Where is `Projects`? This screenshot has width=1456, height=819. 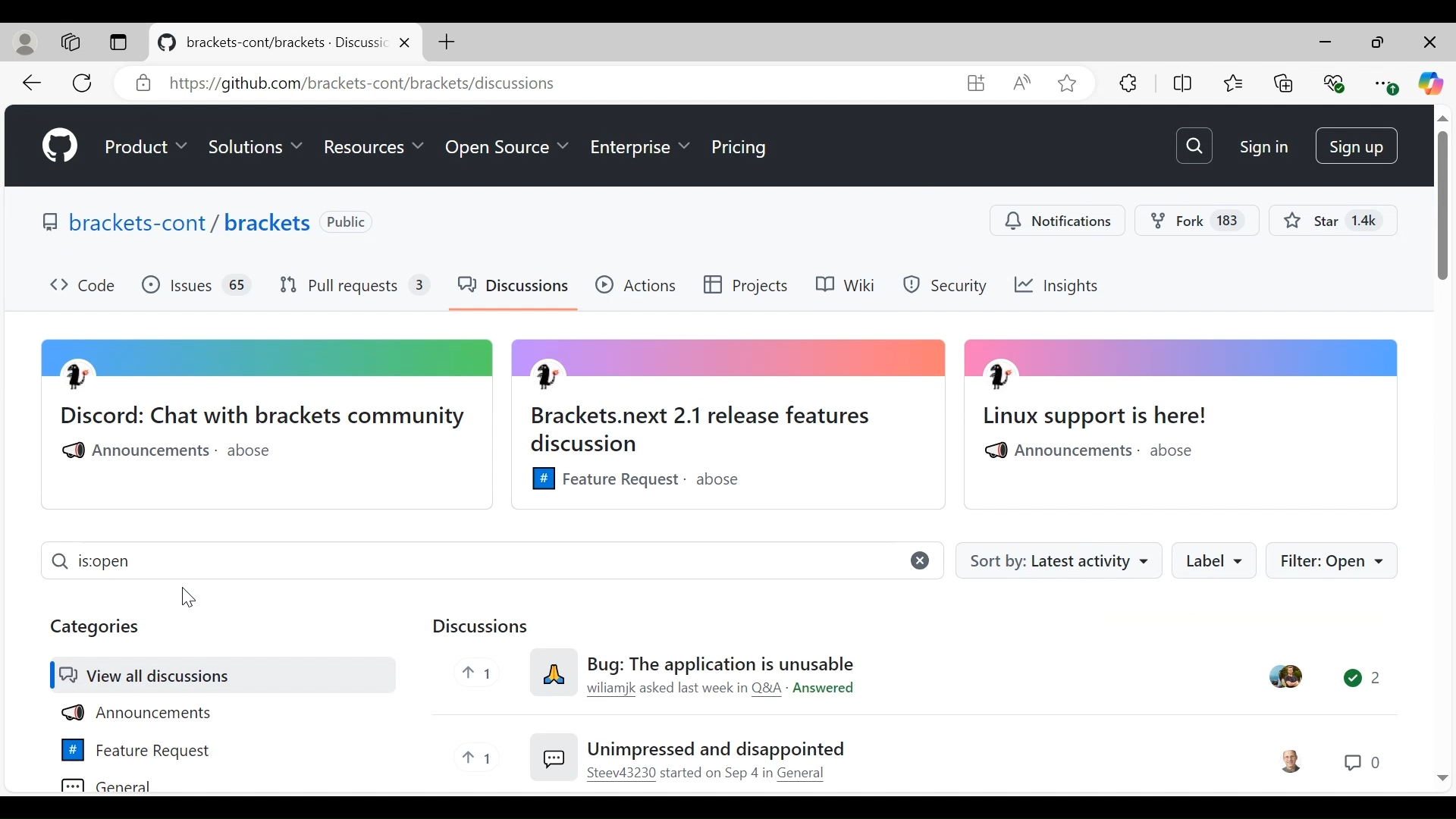 Projects is located at coordinates (750, 286).